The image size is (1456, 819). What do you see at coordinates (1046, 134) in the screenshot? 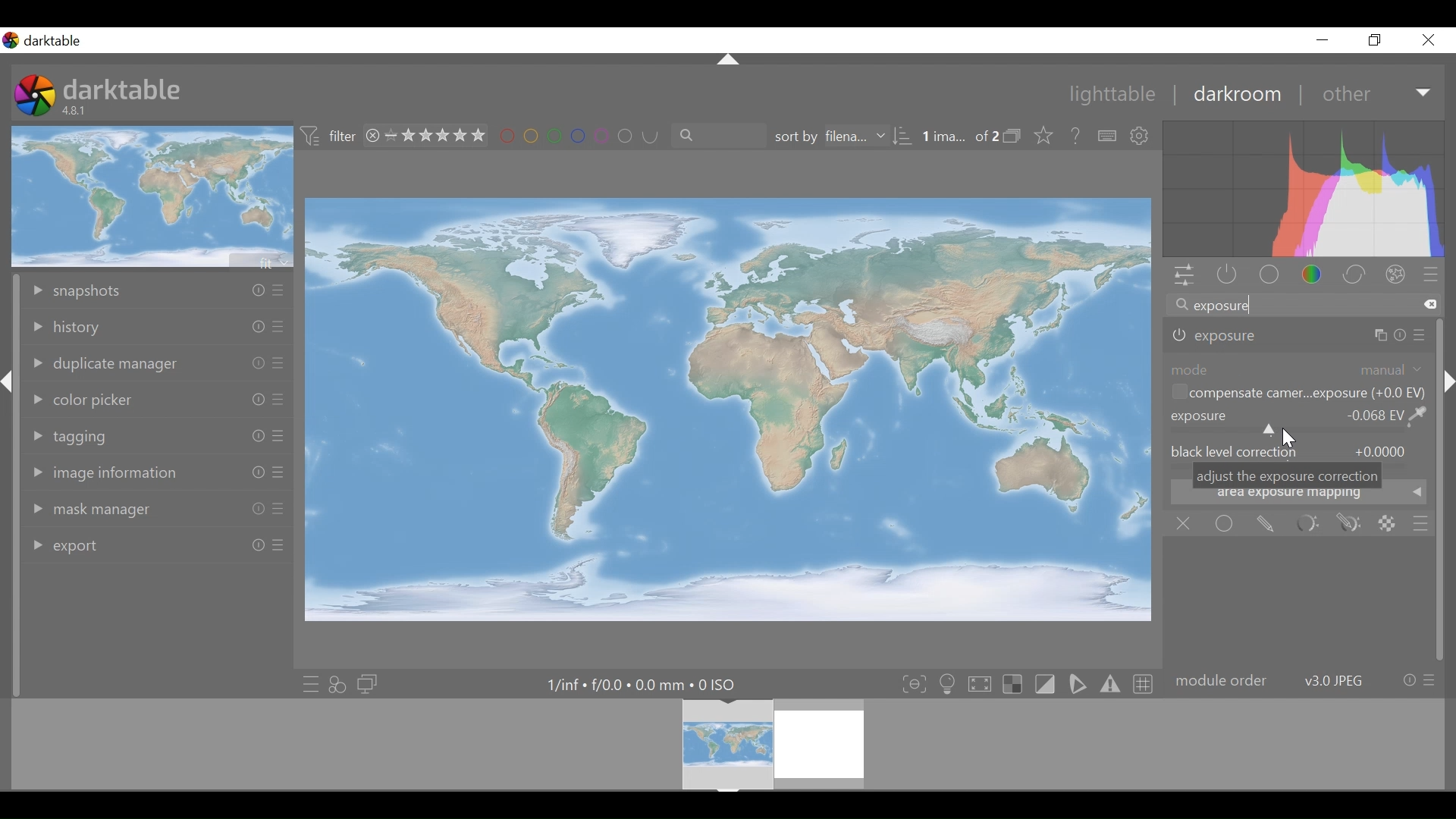
I see `click to change the type of overlays` at bounding box center [1046, 134].